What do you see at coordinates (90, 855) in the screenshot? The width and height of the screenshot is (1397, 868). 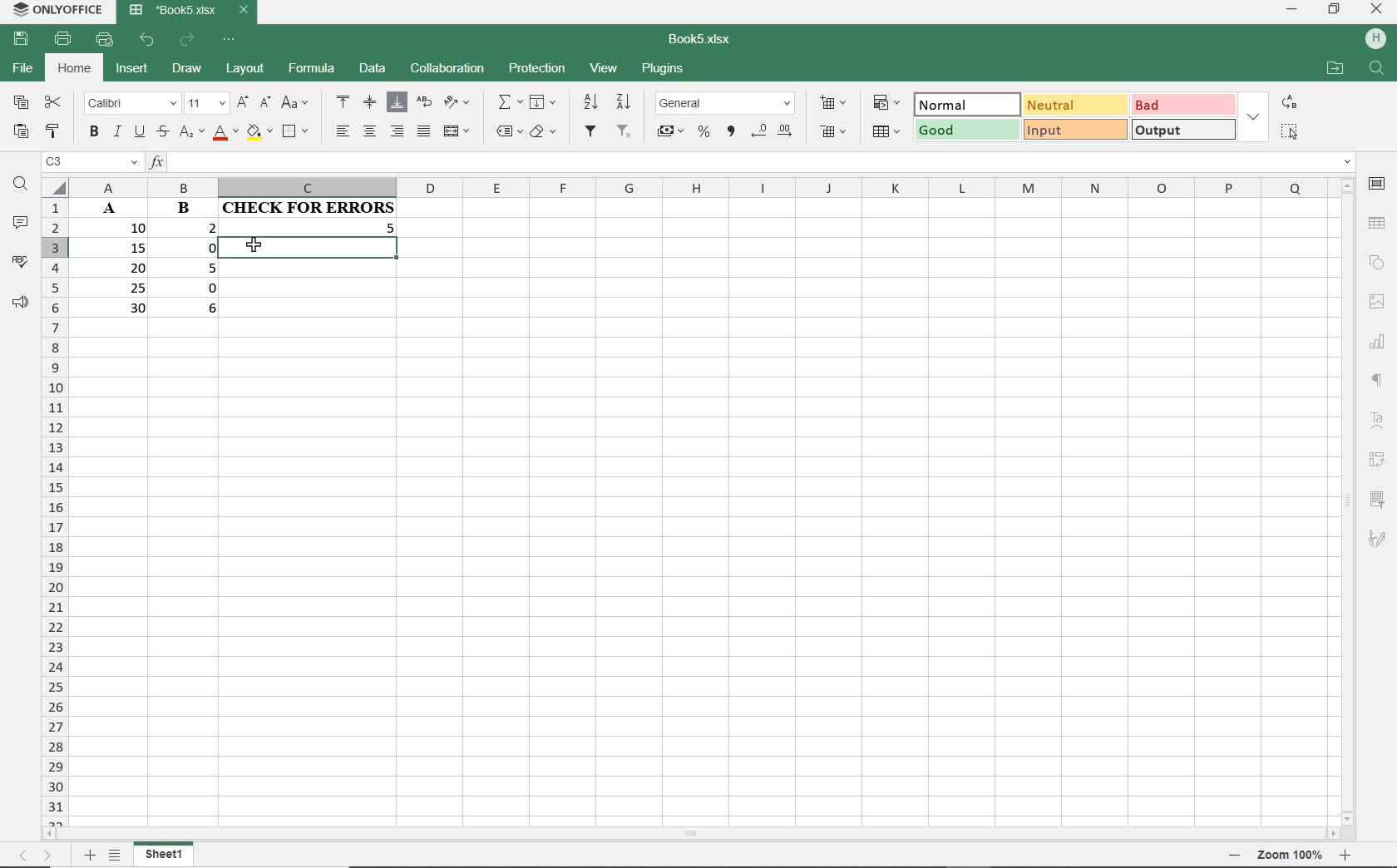 I see `` at bounding box center [90, 855].